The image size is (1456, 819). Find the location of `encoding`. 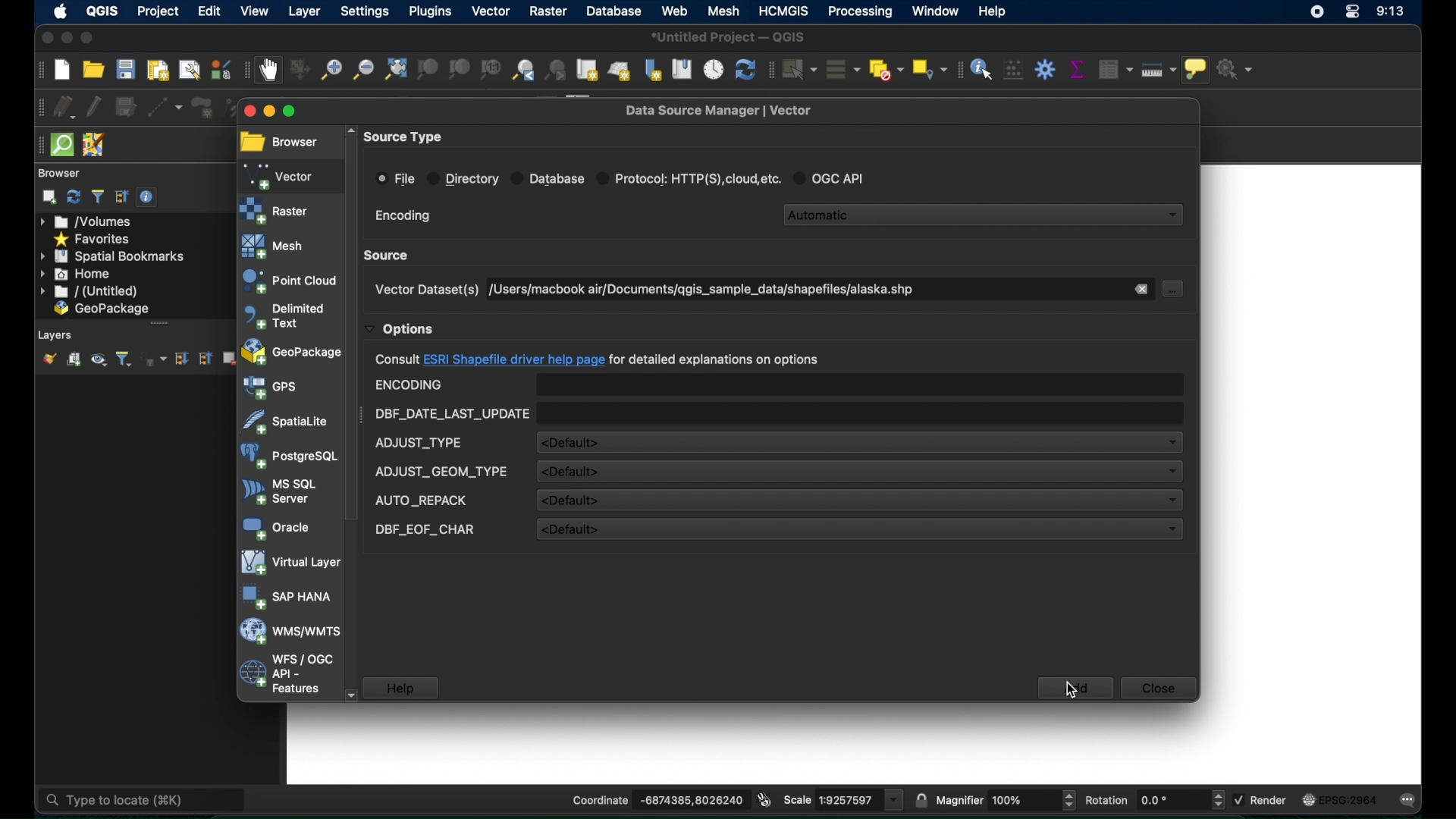

encoding is located at coordinates (403, 216).